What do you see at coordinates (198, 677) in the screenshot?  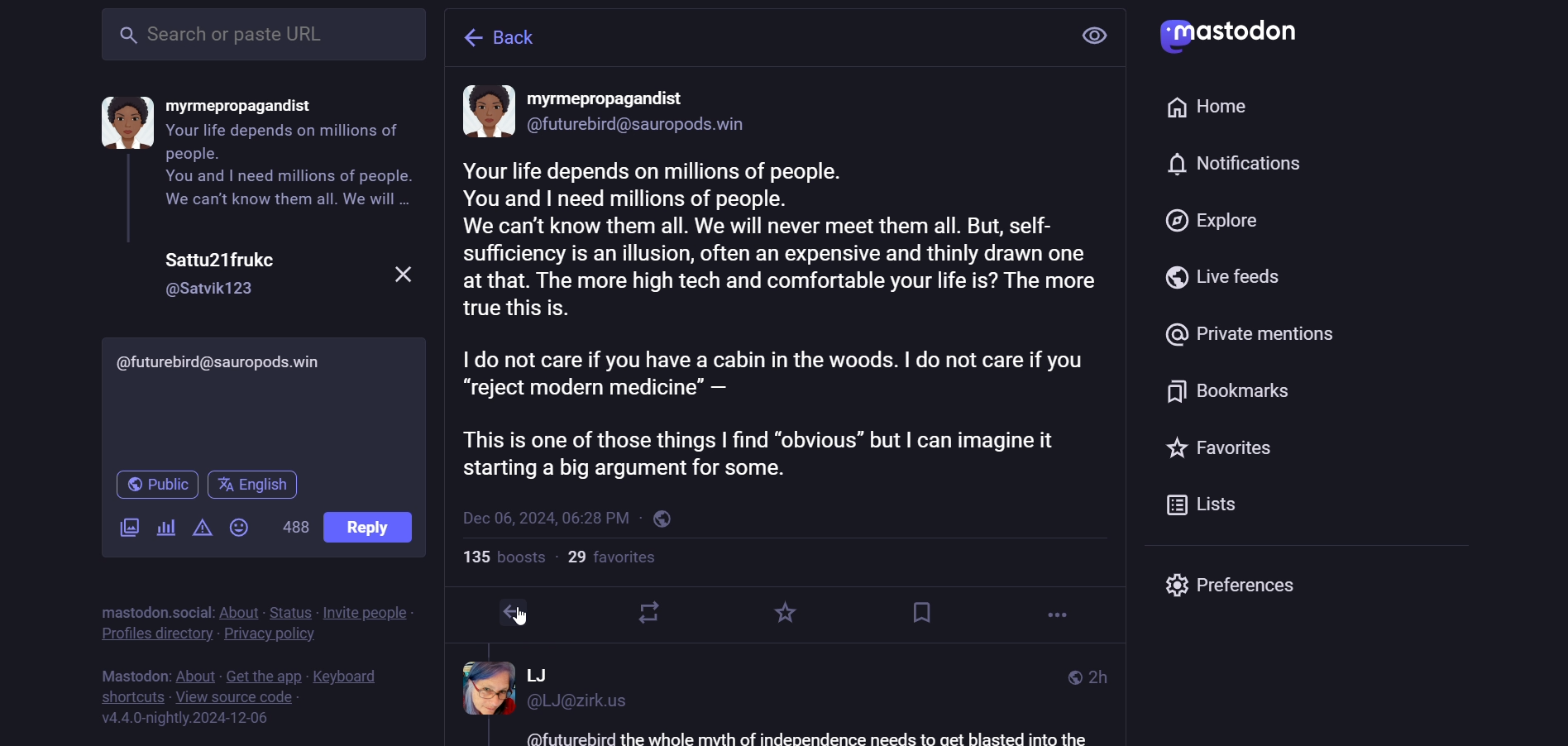 I see `about` at bounding box center [198, 677].